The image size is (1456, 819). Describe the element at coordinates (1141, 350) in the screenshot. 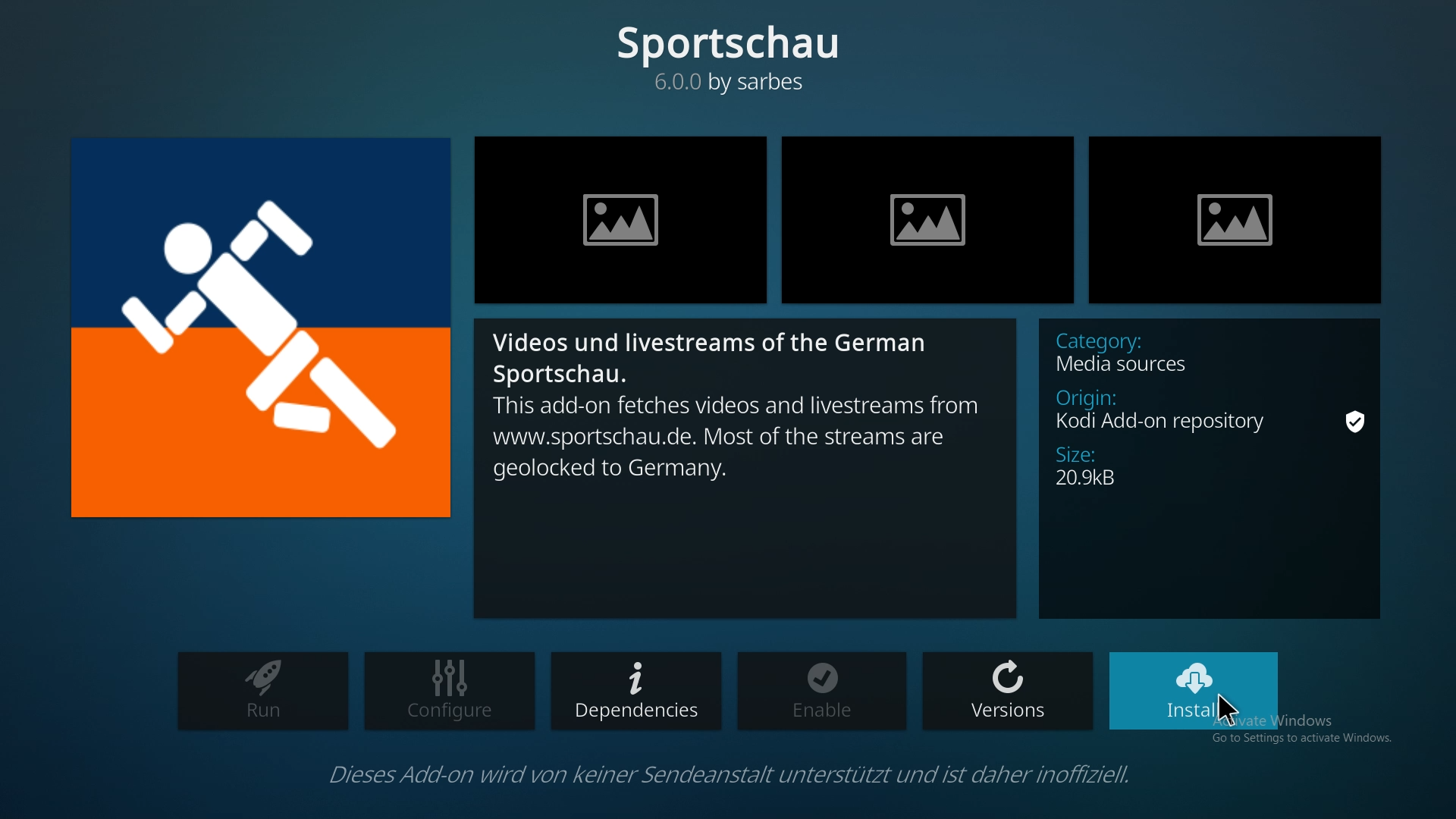

I see `category` at that location.